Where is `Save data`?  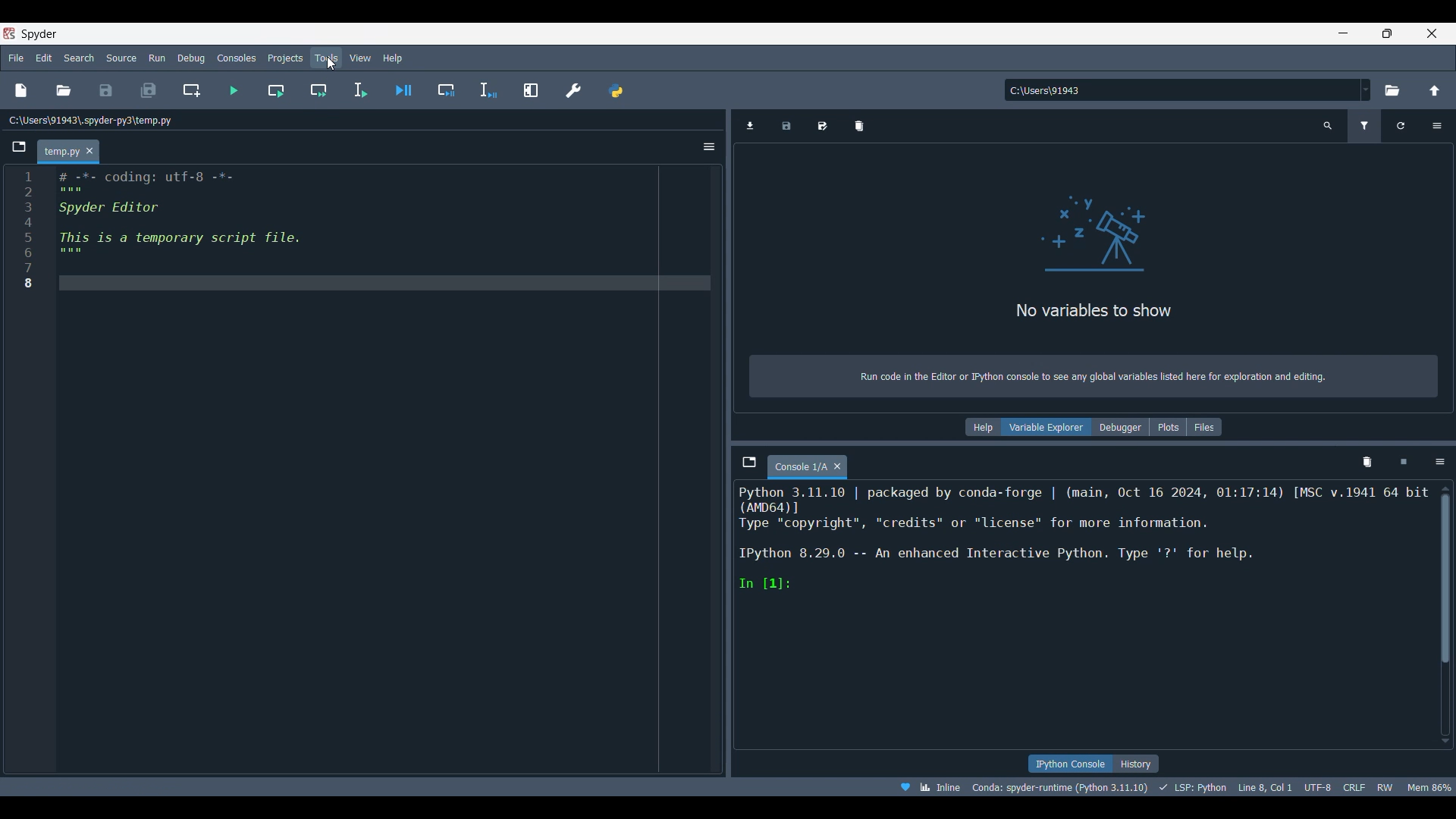
Save data is located at coordinates (786, 126).